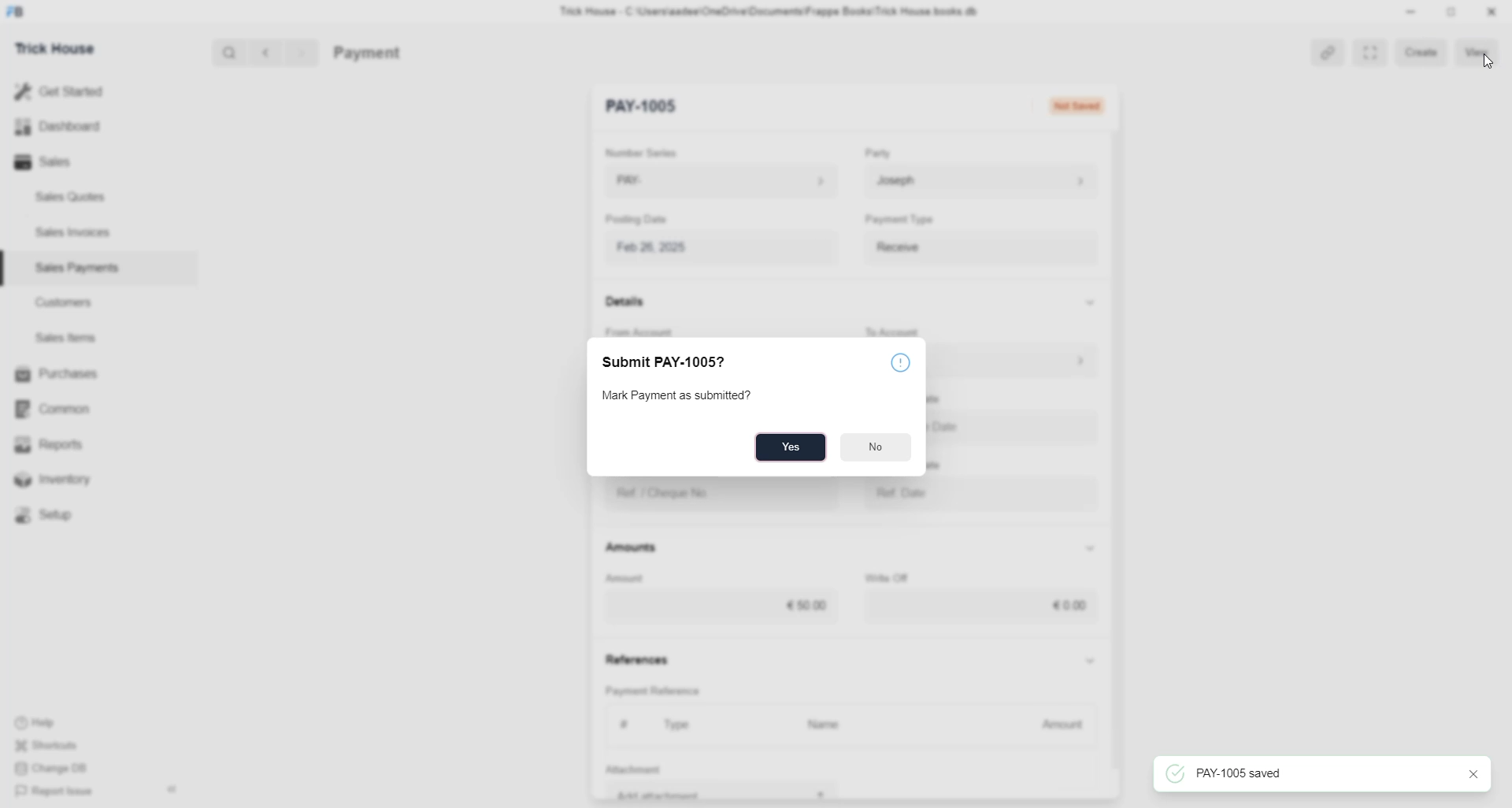 Image resolution: width=1512 pixels, height=808 pixels. What do you see at coordinates (725, 249) in the screenshot?
I see `Feb 26, 2025` at bounding box center [725, 249].